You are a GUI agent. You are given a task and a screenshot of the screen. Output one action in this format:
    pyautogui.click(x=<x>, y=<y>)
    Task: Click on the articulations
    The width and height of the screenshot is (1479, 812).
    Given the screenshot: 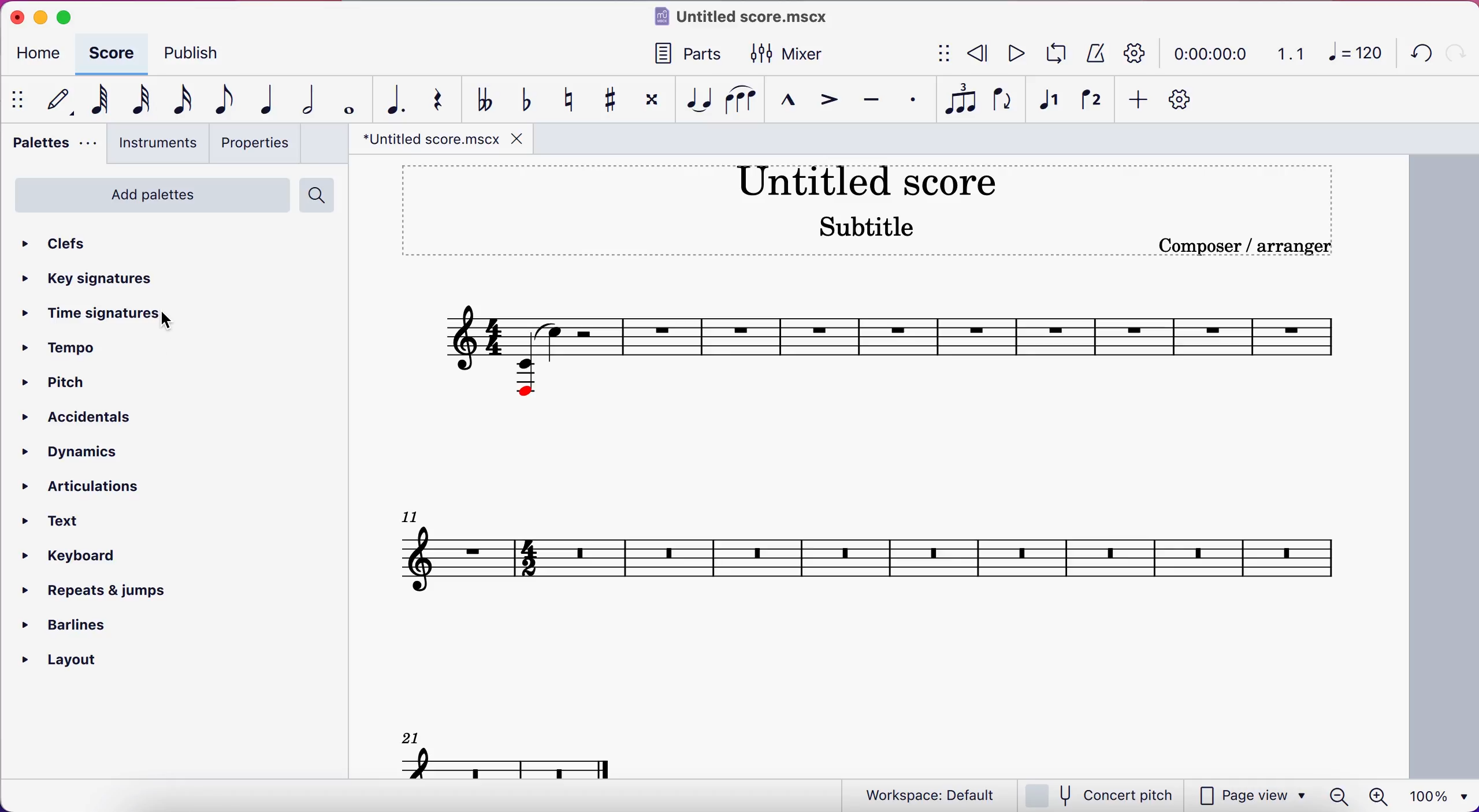 What is the action you would take?
    pyautogui.click(x=83, y=486)
    